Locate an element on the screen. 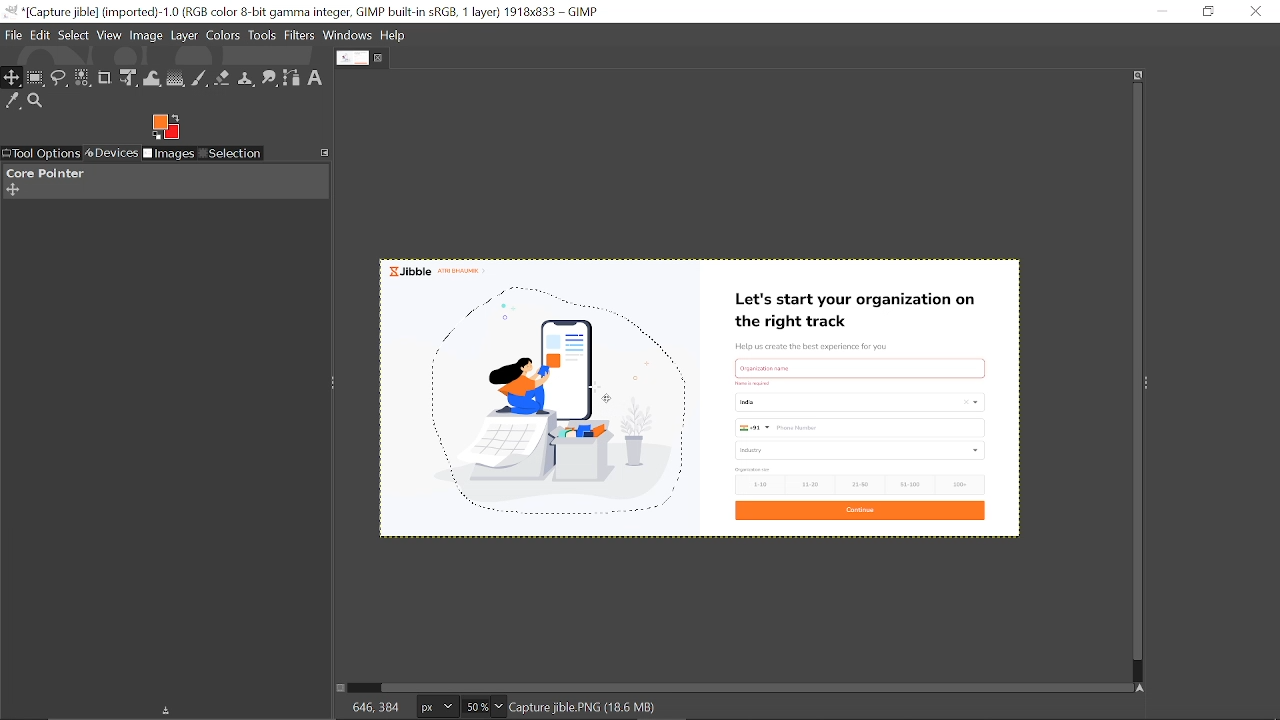 Image resolution: width=1280 pixels, height=720 pixels. country is located at coordinates (862, 402).